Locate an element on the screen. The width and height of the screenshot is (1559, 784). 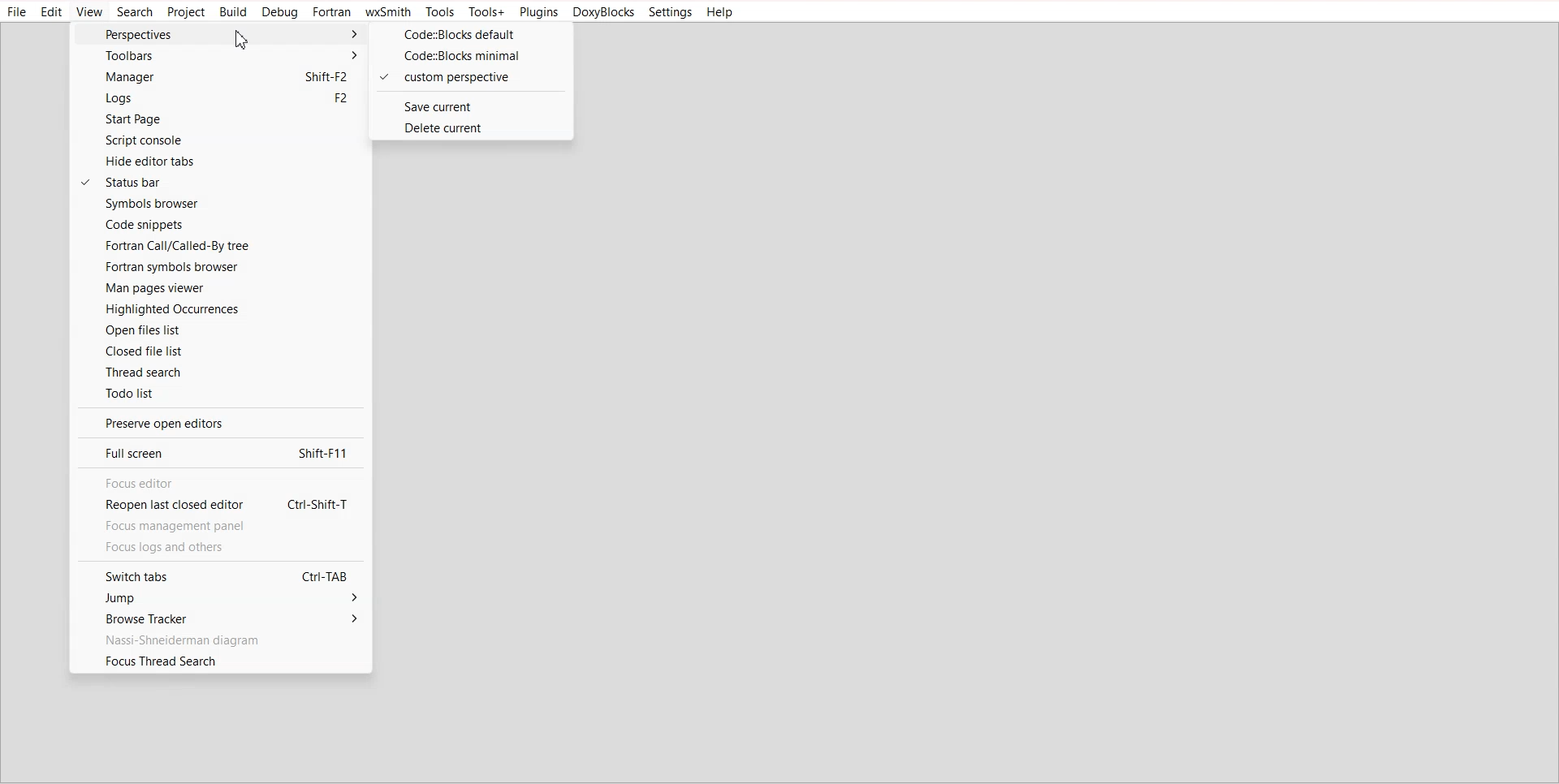
Open files list is located at coordinates (220, 330).